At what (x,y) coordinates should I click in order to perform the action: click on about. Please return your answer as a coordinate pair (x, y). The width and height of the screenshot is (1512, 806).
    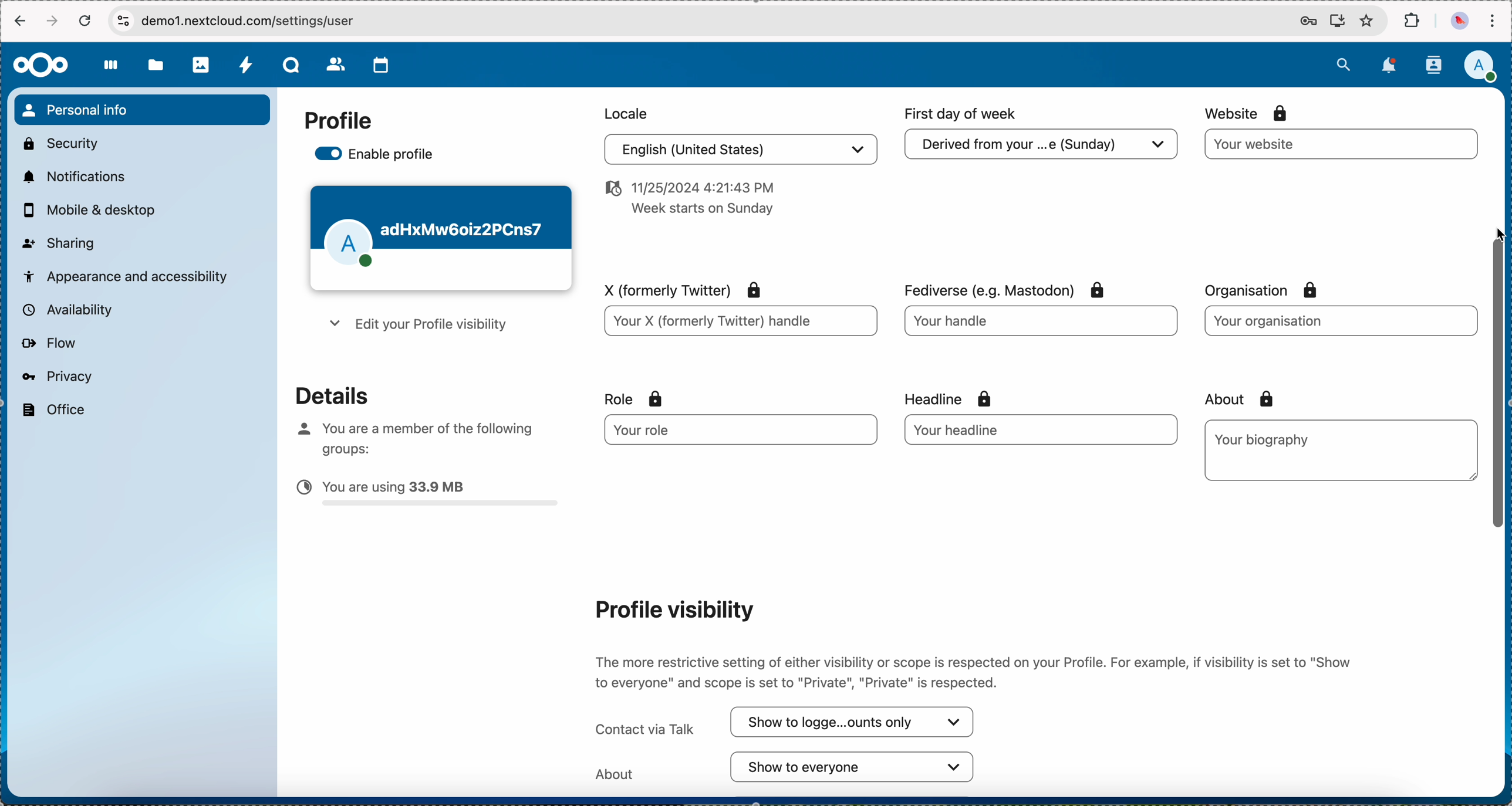
    Looking at the image, I should click on (1235, 399).